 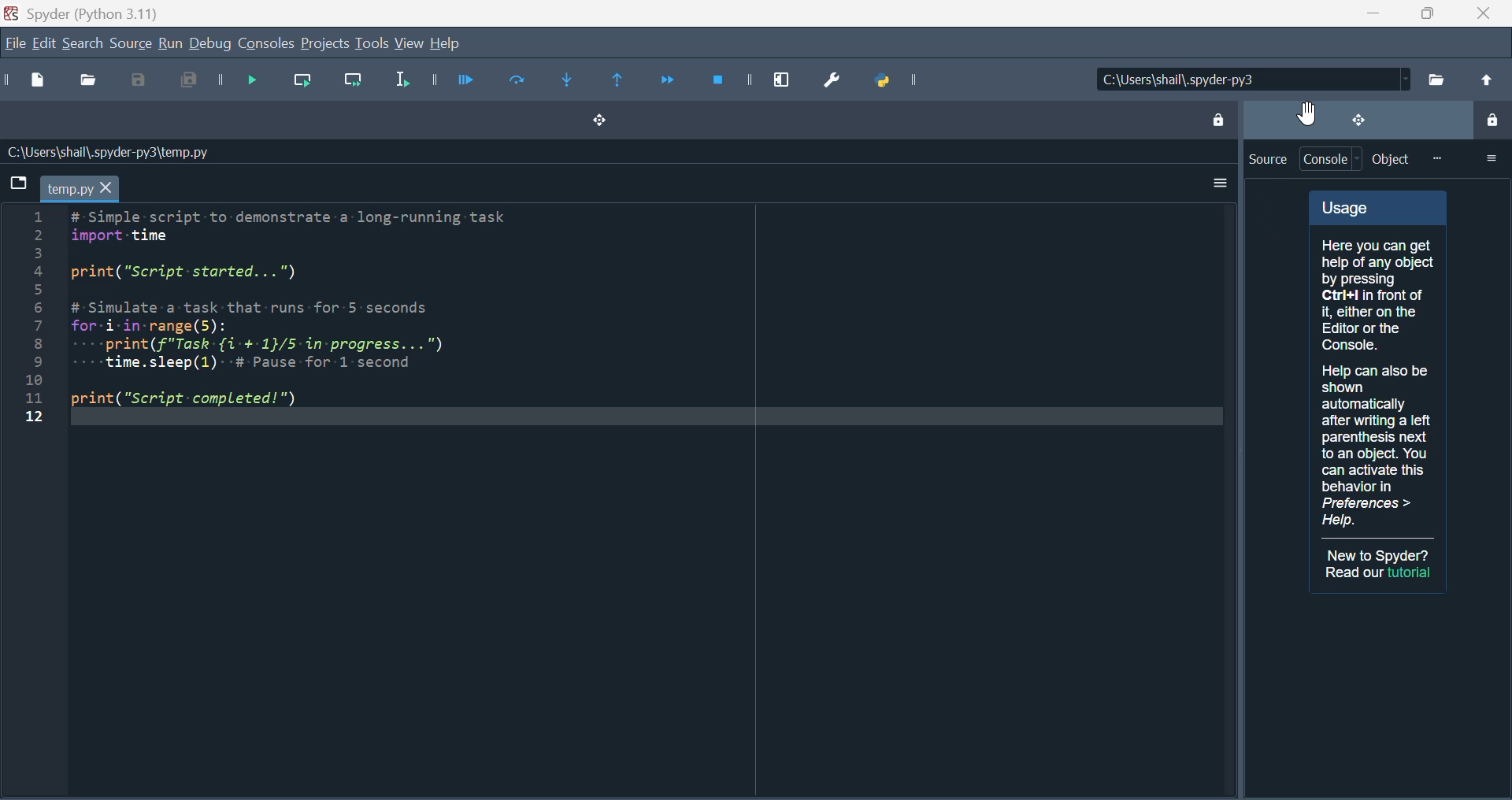 What do you see at coordinates (267, 44) in the screenshot?
I see `Console` at bounding box center [267, 44].